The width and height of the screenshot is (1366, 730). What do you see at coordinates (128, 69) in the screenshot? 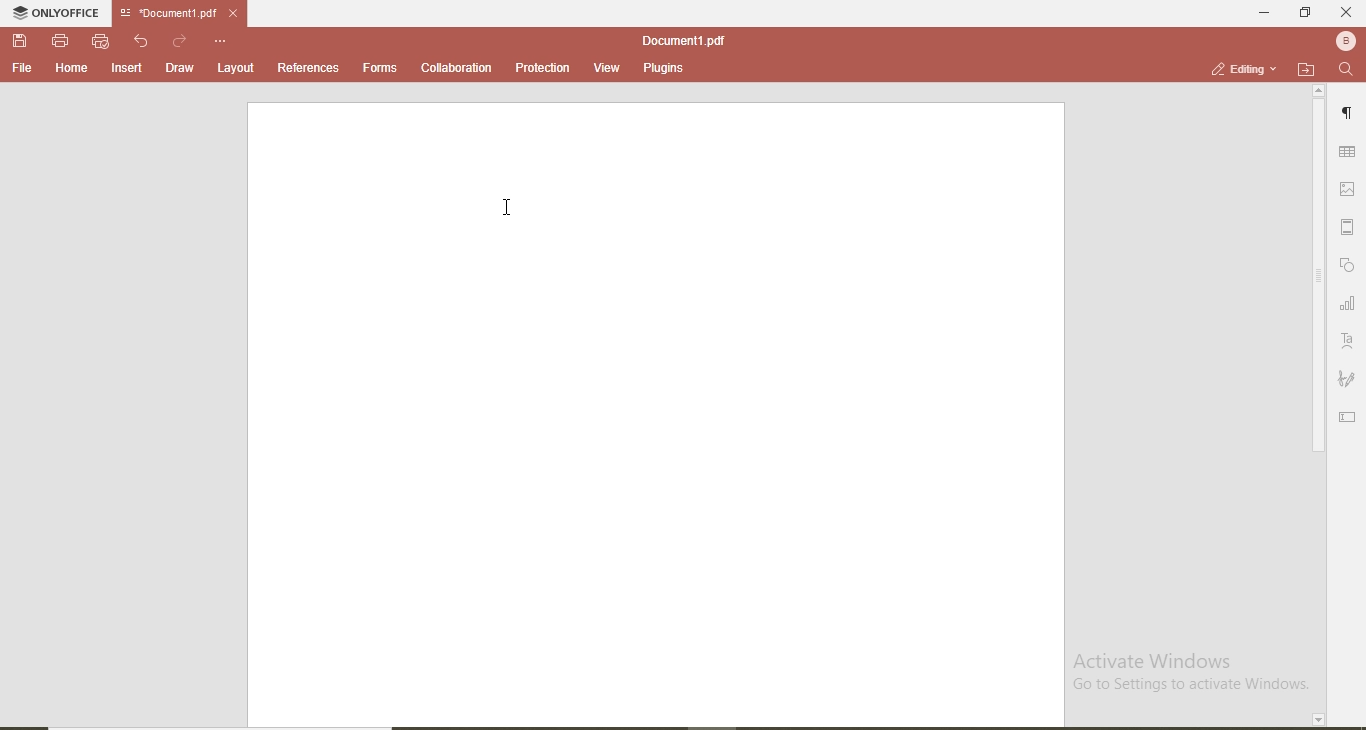
I see `insert` at bounding box center [128, 69].